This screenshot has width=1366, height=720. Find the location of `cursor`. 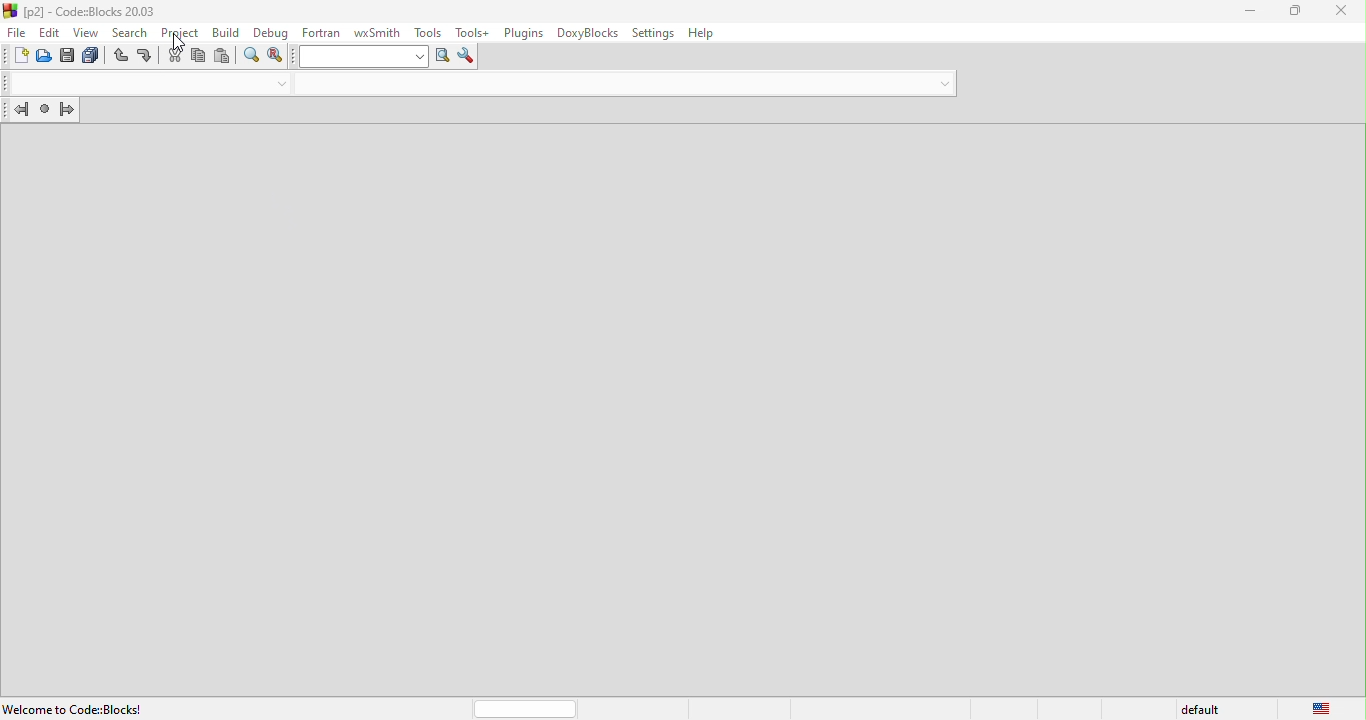

cursor is located at coordinates (179, 43).